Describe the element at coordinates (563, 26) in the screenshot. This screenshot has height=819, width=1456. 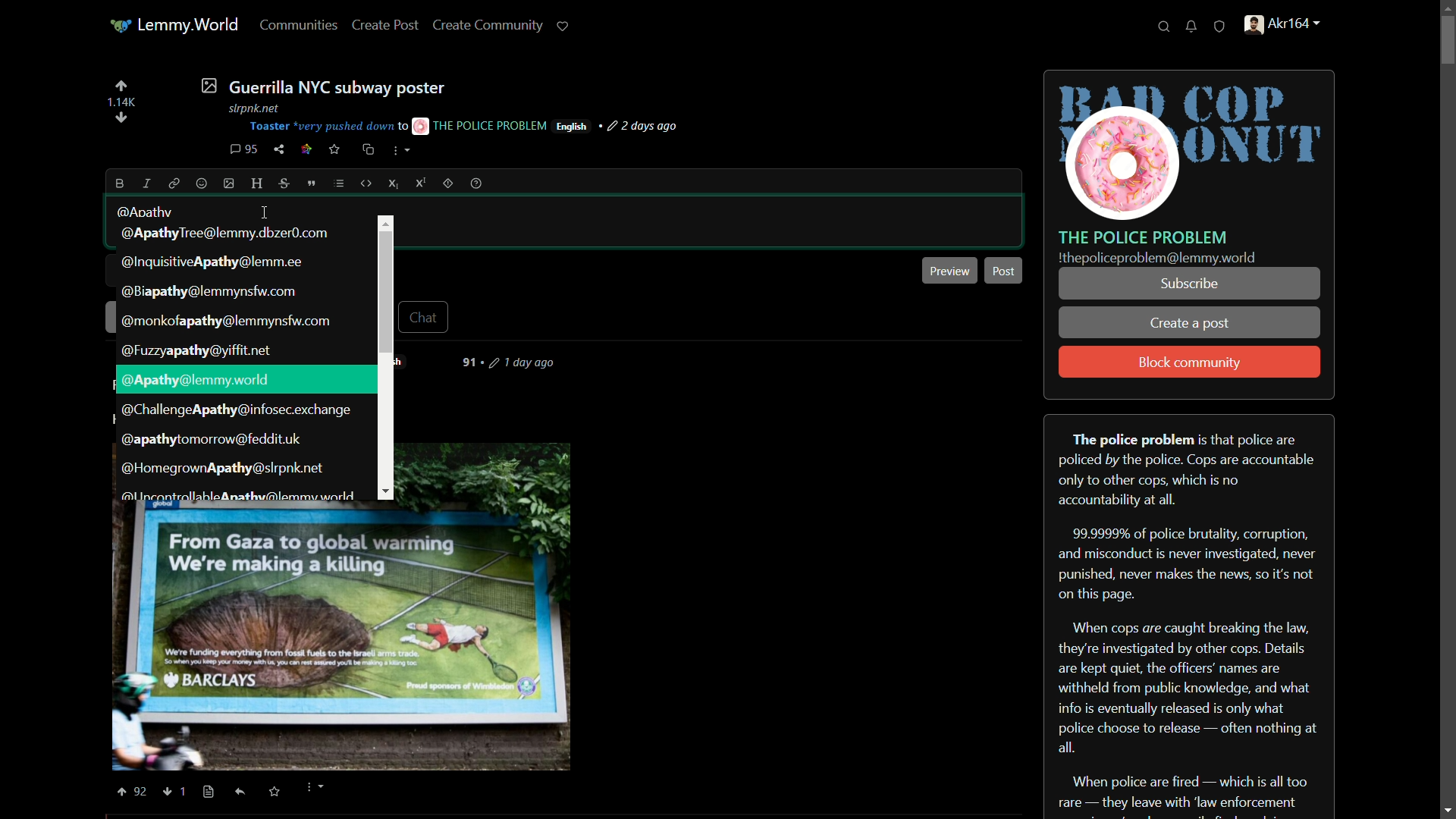
I see `support lemmy.world` at that location.